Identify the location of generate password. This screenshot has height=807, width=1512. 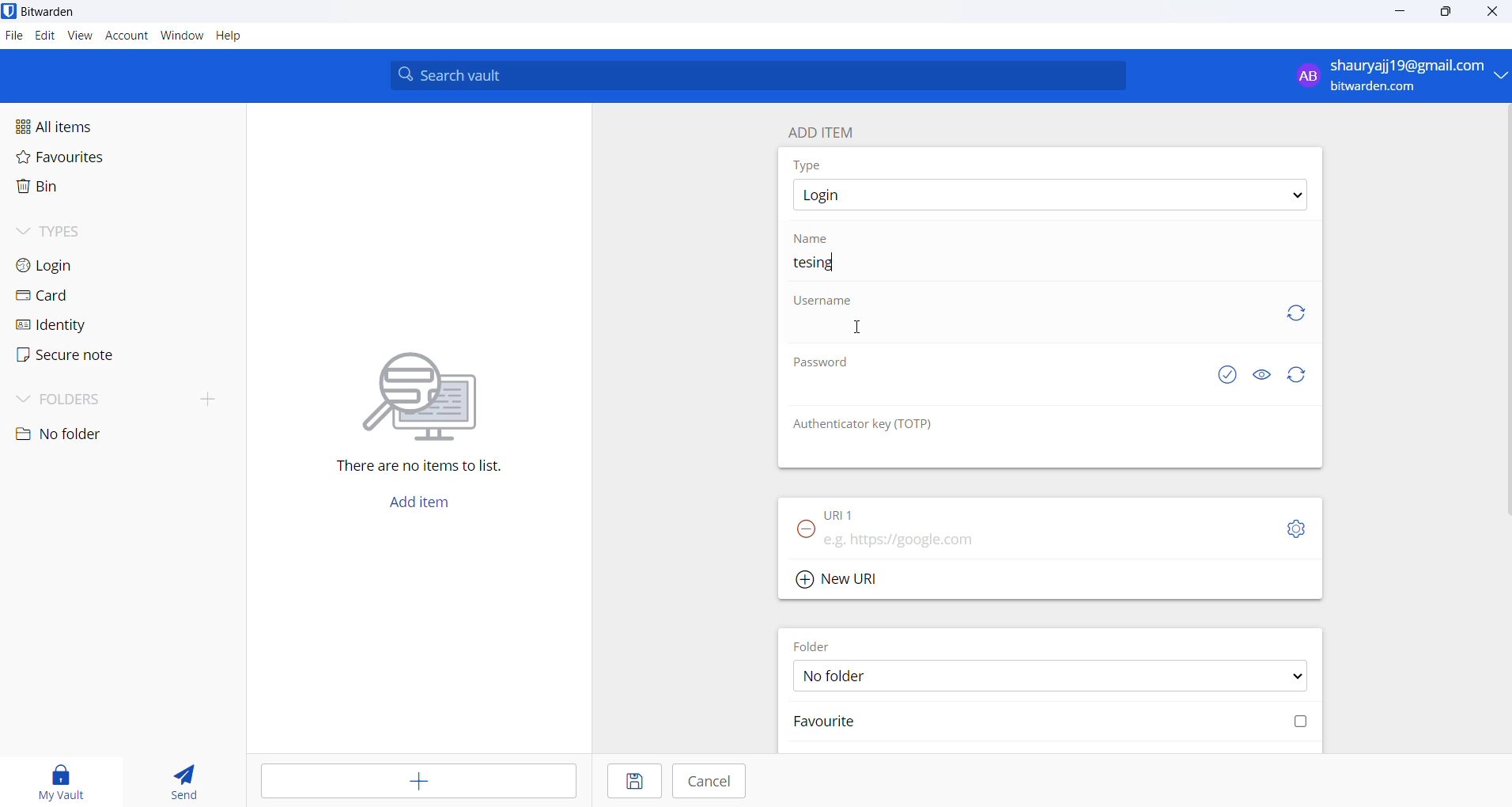
(1300, 376).